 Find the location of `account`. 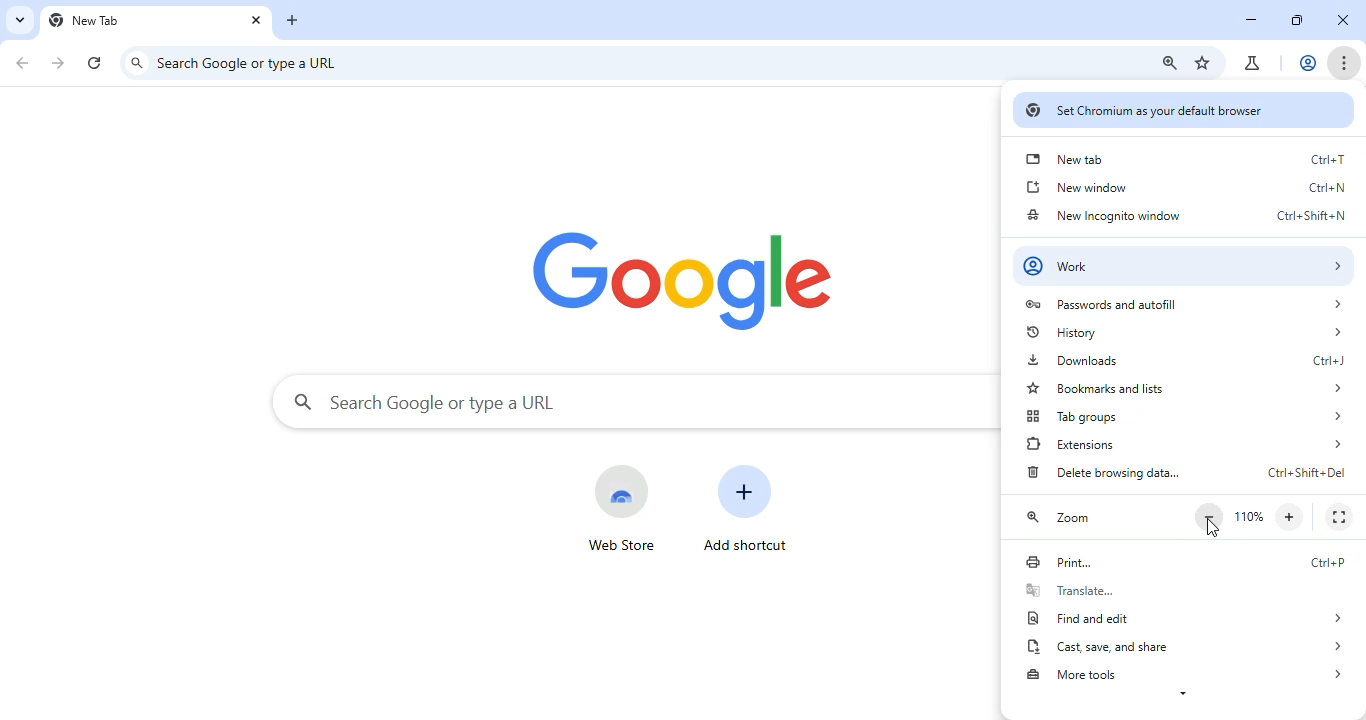

account is located at coordinates (1310, 62).